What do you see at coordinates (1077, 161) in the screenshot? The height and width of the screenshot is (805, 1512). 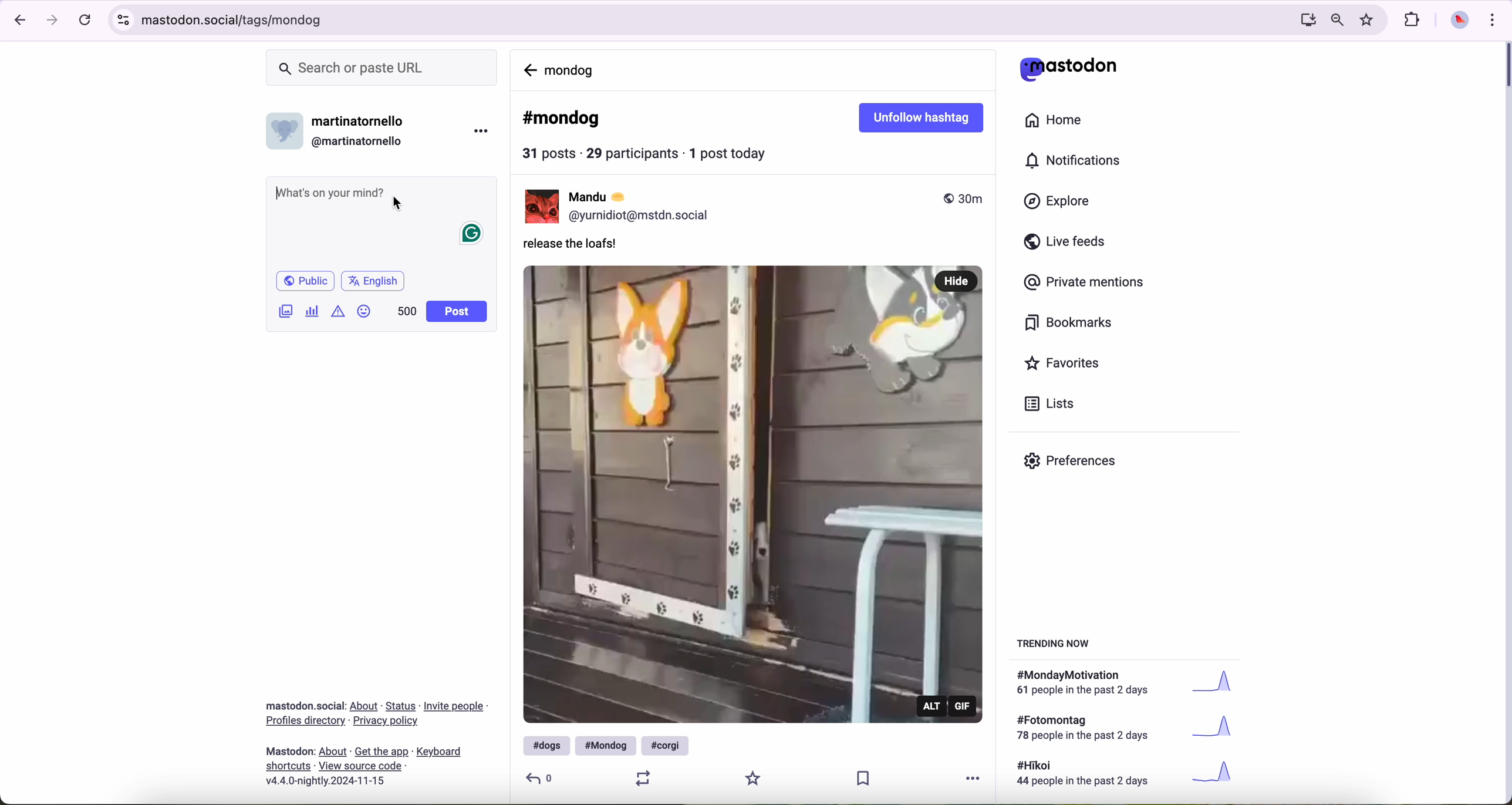 I see `notifications` at bounding box center [1077, 161].